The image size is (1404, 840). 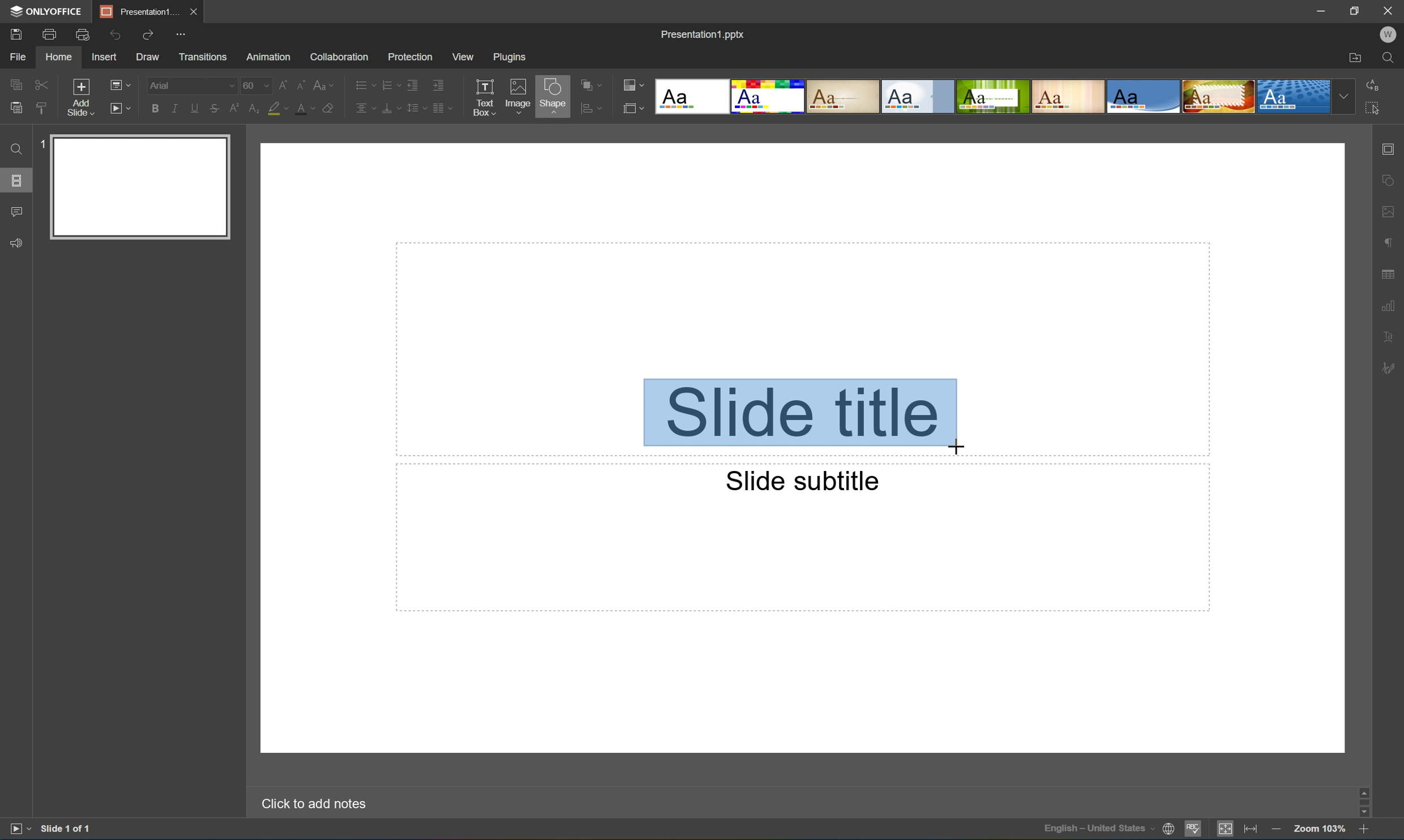 I want to click on Bullets, so click(x=362, y=84).